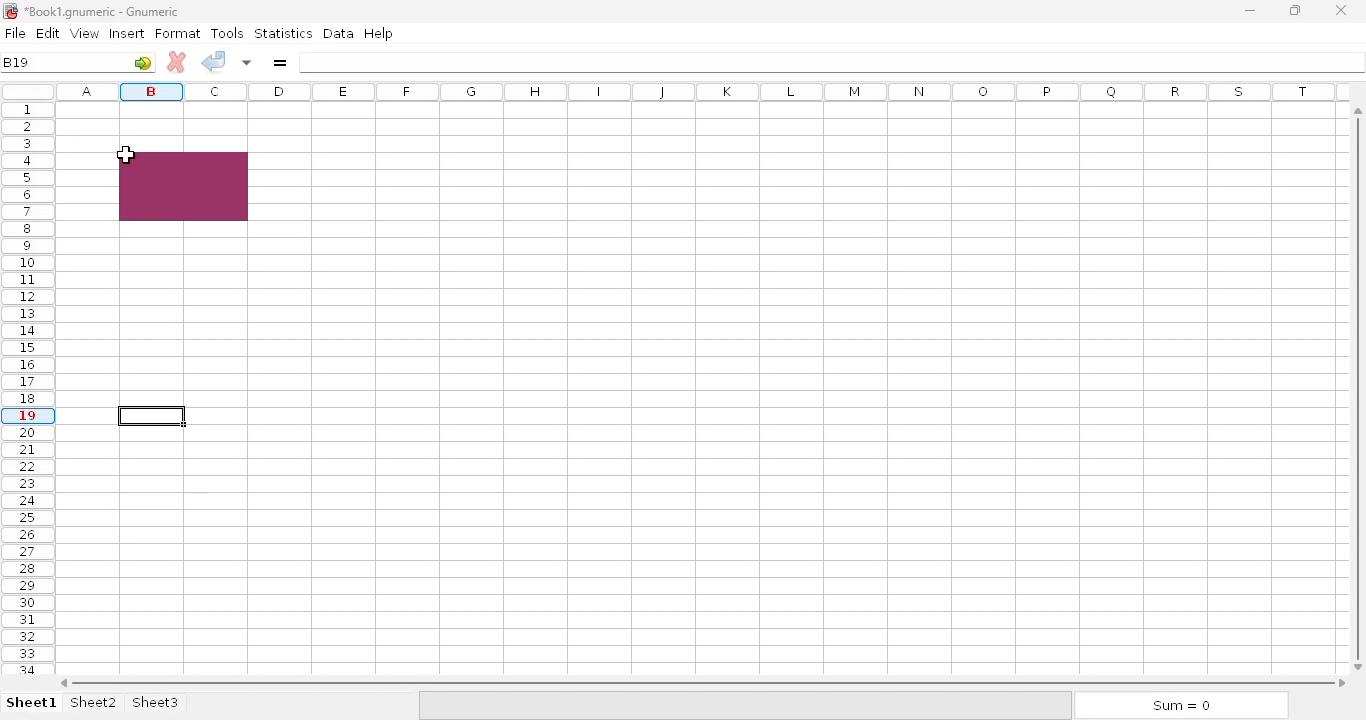  Describe the element at coordinates (178, 33) in the screenshot. I see `format` at that location.